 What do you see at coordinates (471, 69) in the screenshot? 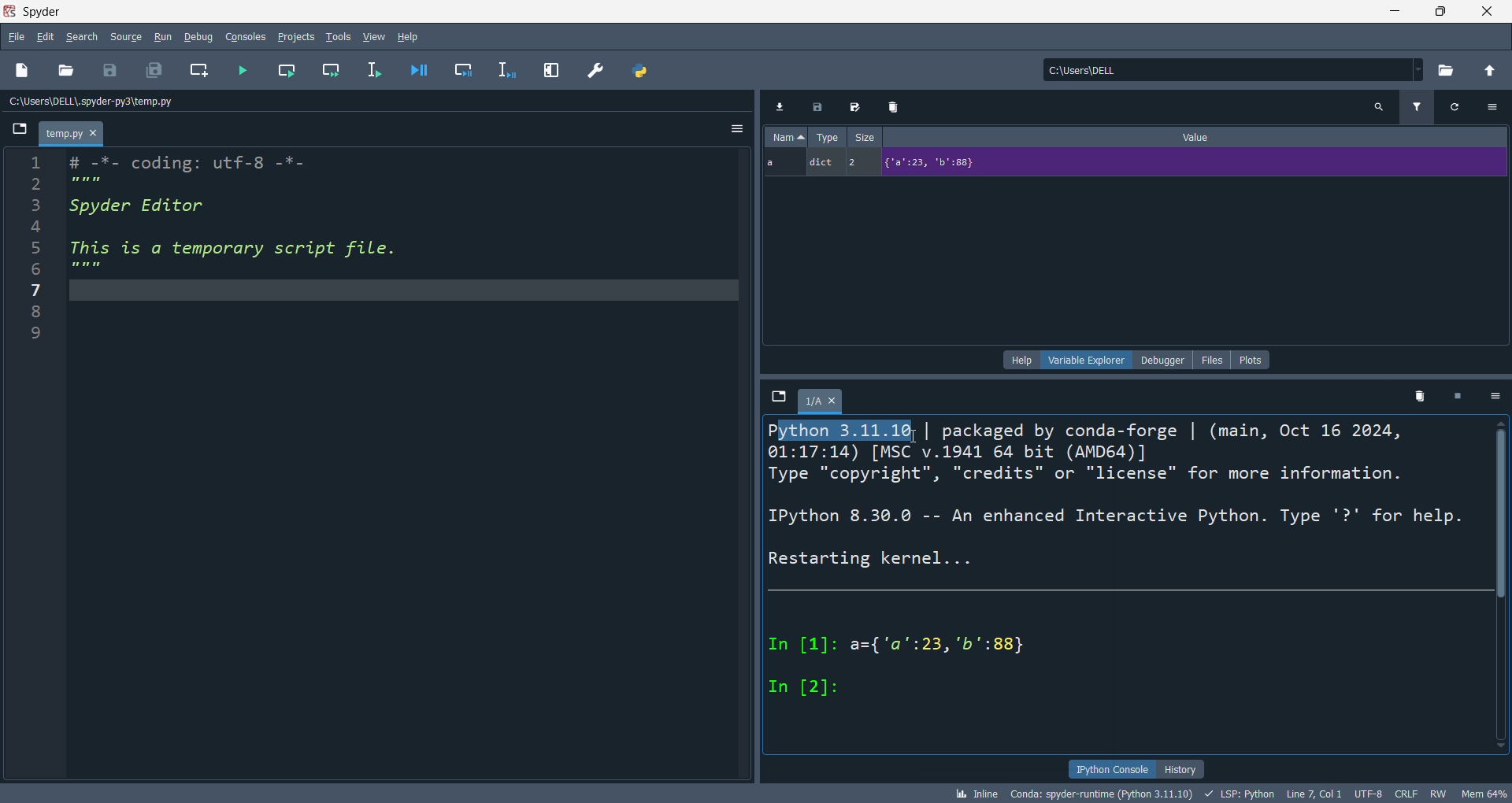
I see `debug cell` at bounding box center [471, 69].